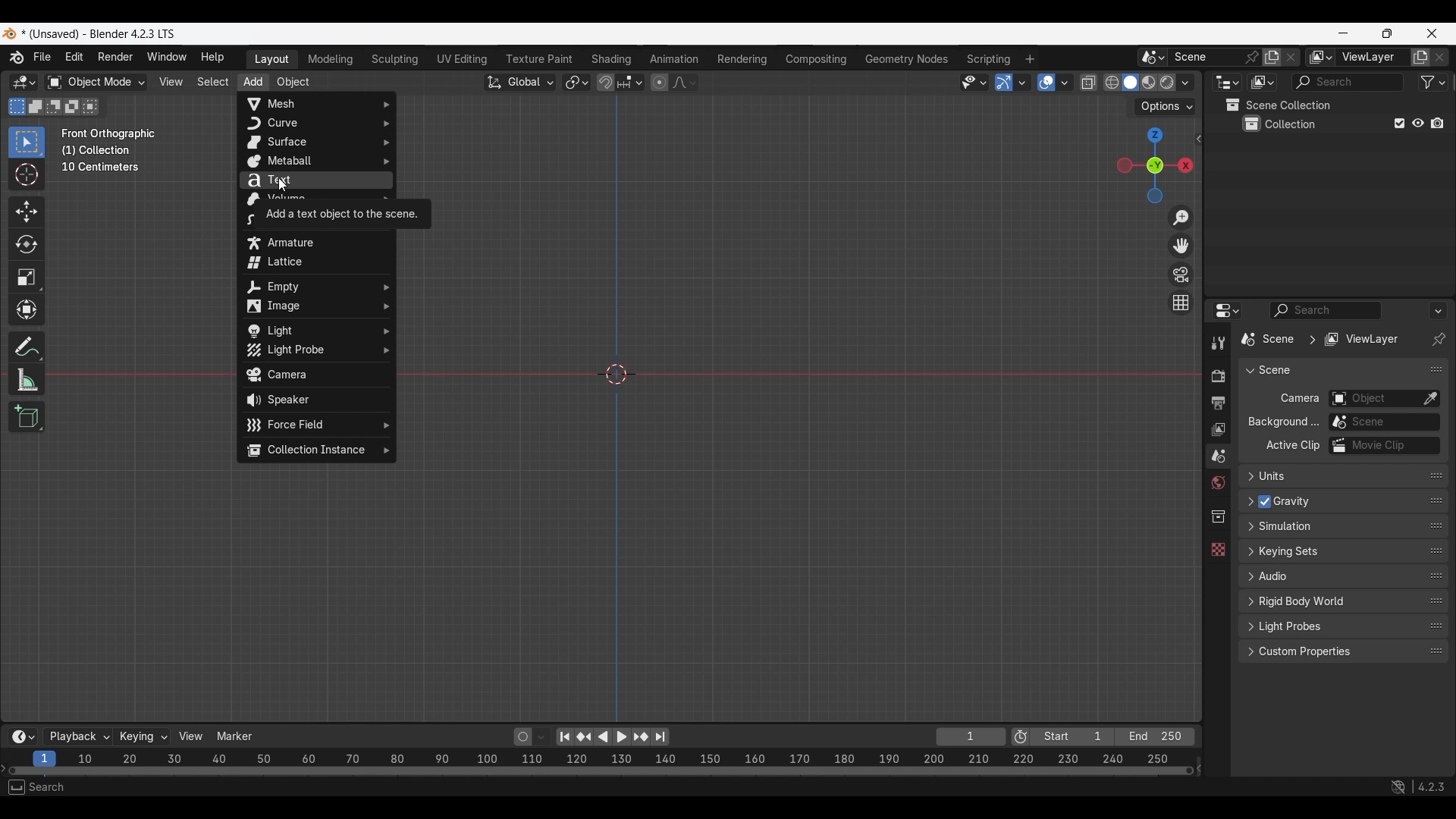 The height and width of the screenshot is (819, 1456). Describe the element at coordinates (1400, 123) in the screenshot. I see `Exclude from view layer` at that location.